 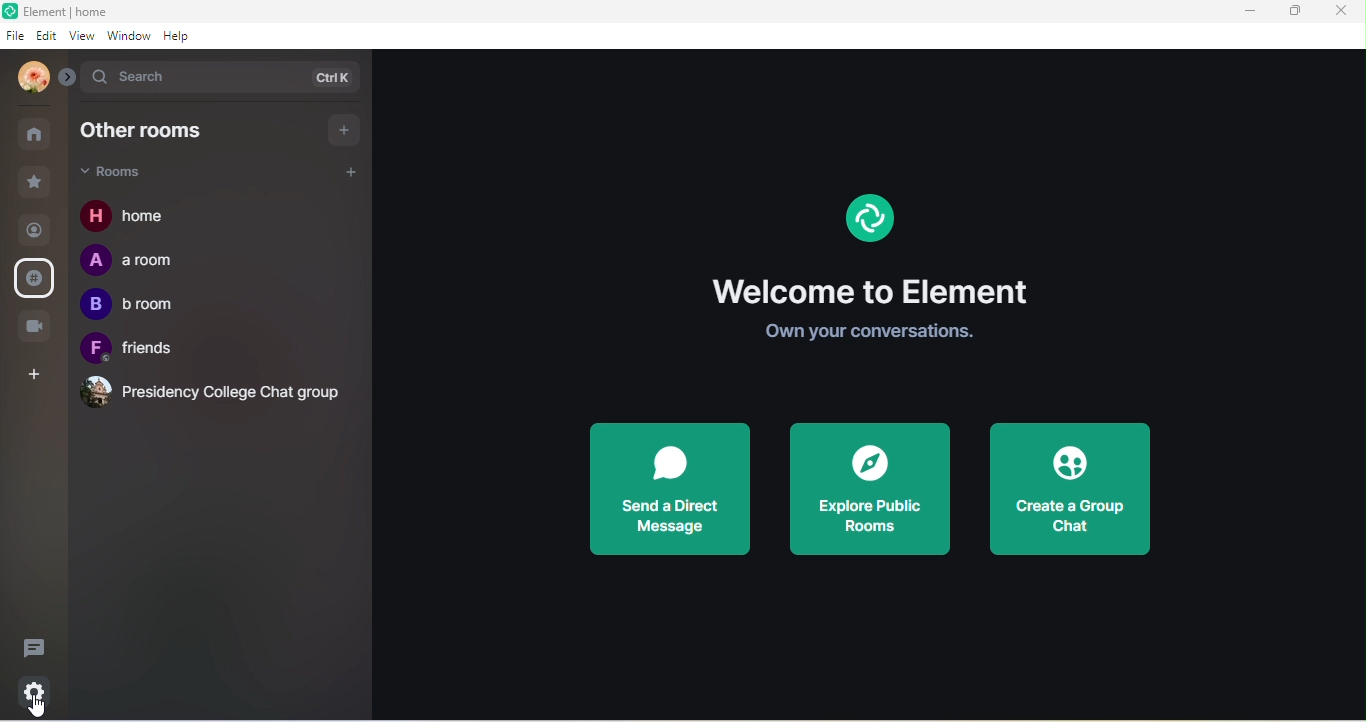 I want to click on send a direct message, so click(x=668, y=490).